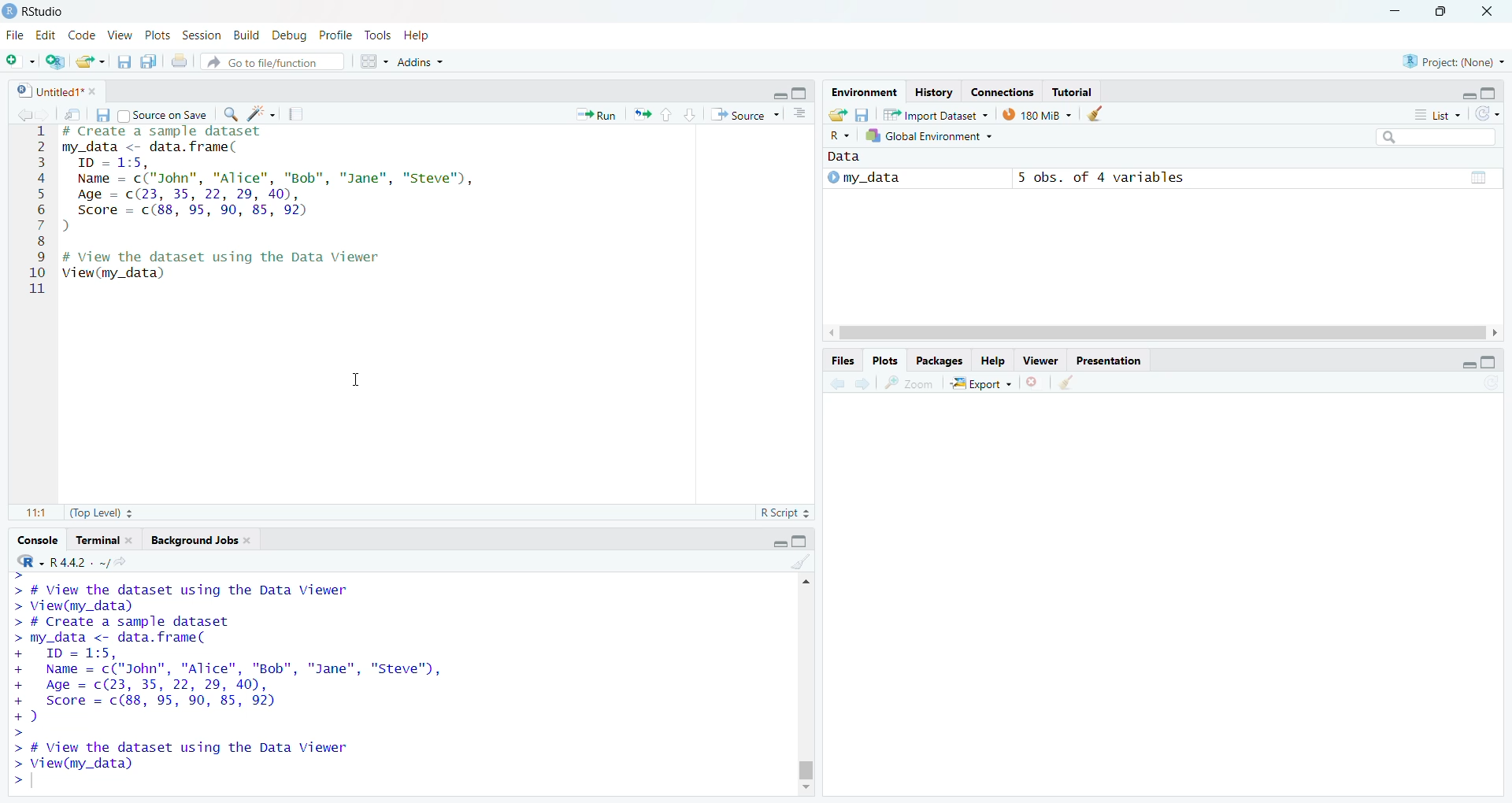  I want to click on Profile, so click(335, 37).